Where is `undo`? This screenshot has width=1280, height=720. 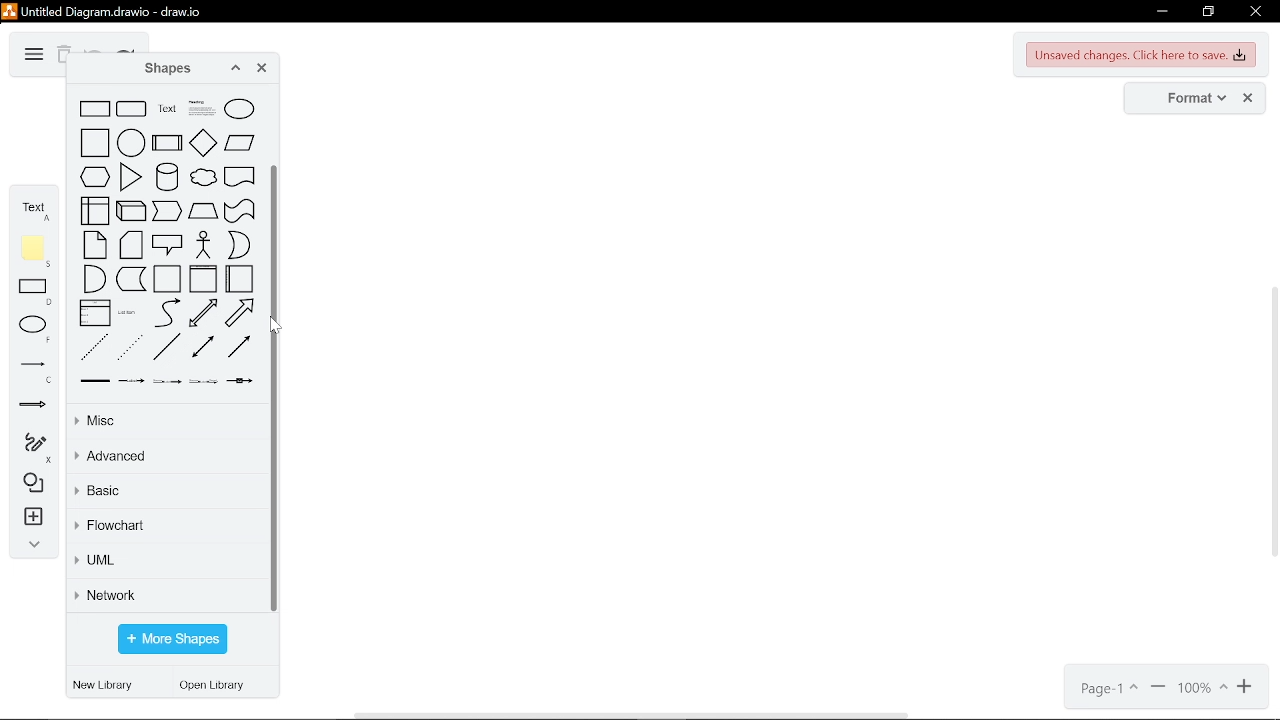
undo is located at coordinates (94, 49).